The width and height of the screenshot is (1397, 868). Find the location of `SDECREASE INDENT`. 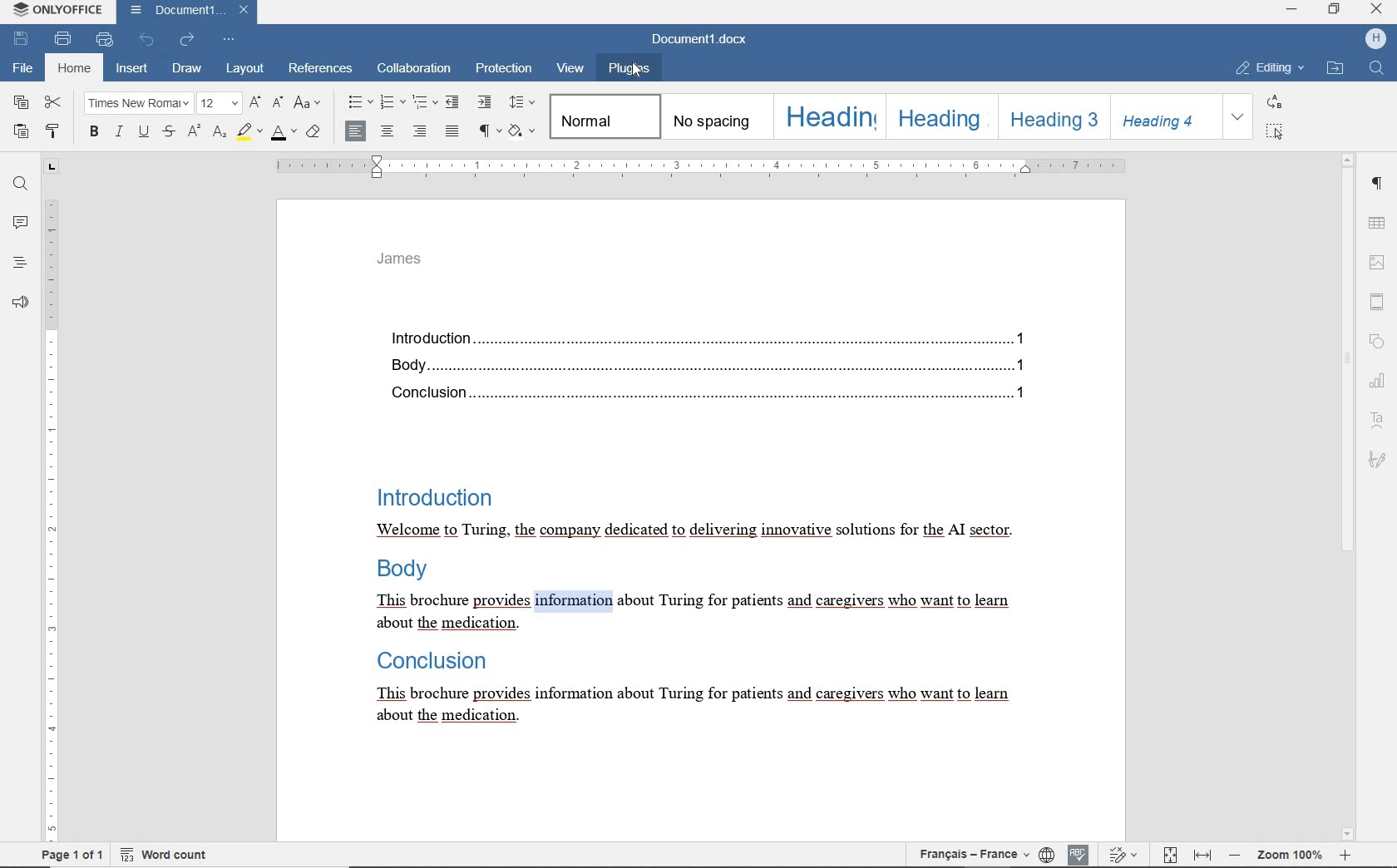

SDECREASE INDENT is located at coordinates (425, 104).